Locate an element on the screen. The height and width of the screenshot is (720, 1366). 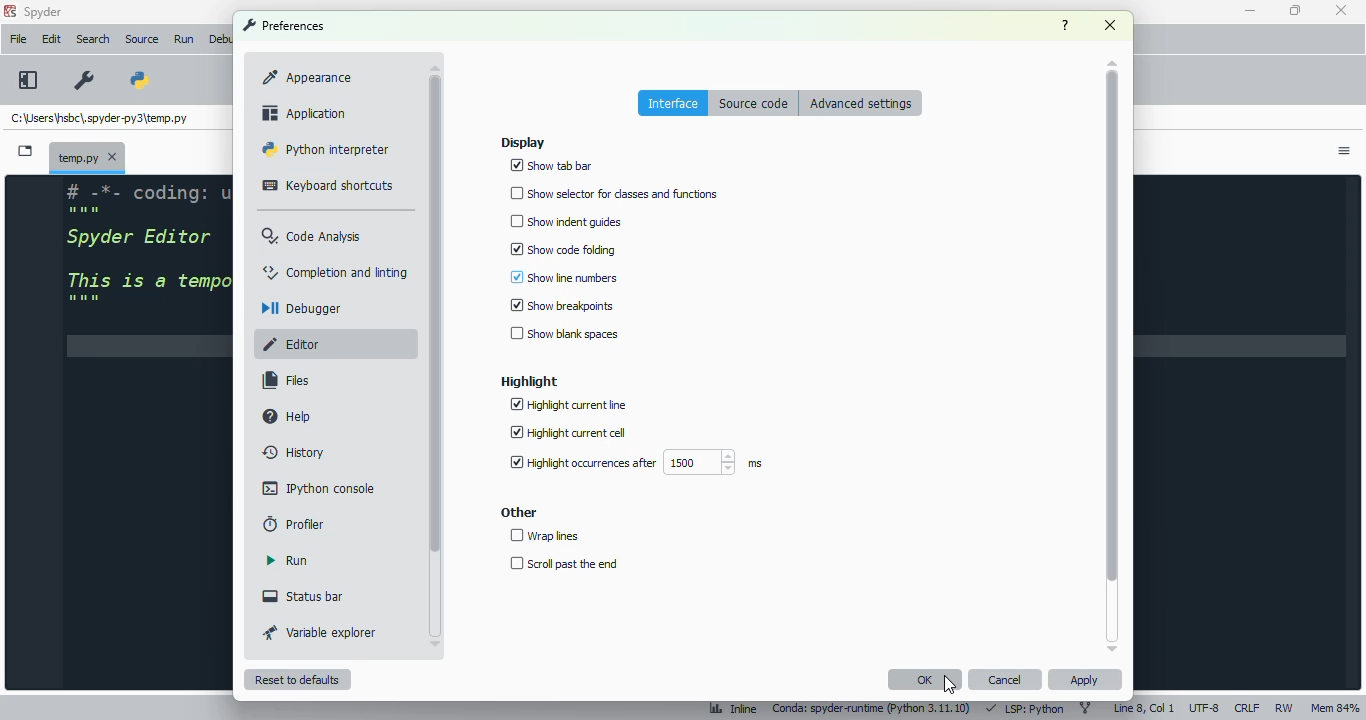
LSP: python is located at coordinates (1026, 708).